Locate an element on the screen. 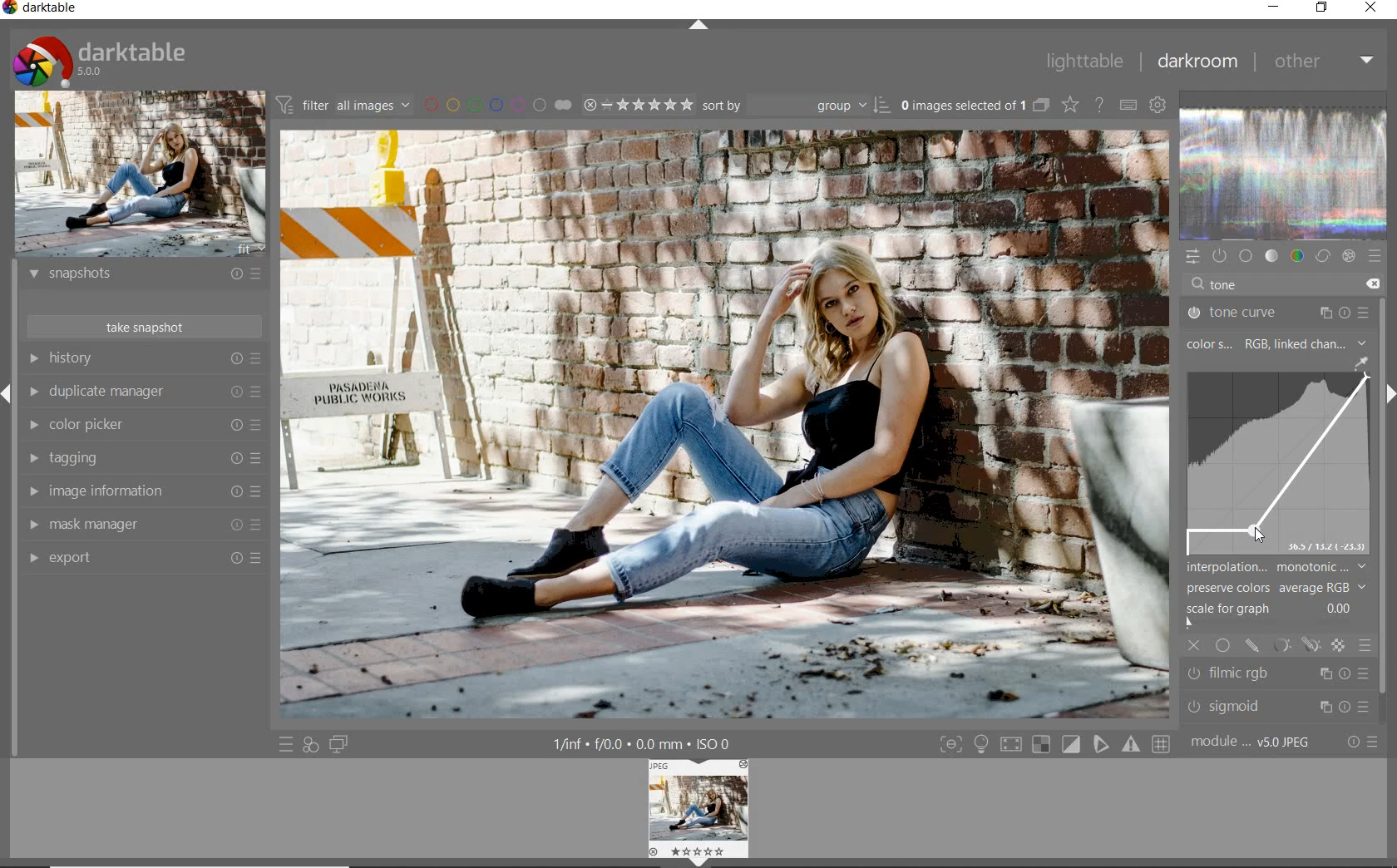  pick gui color from image is located at coordinates (1360, 362).